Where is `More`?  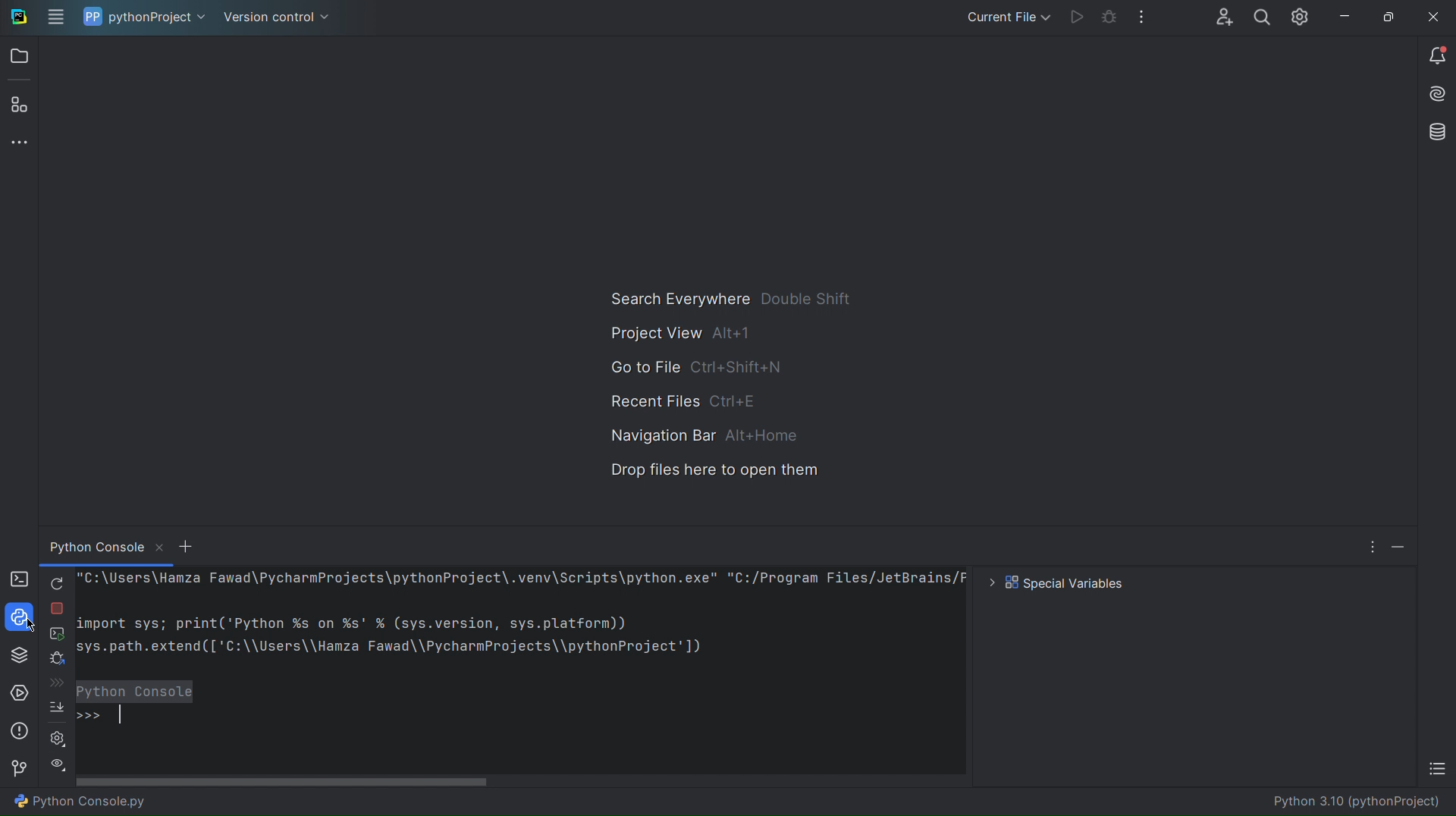
More is located at coordinates (1370, 545).